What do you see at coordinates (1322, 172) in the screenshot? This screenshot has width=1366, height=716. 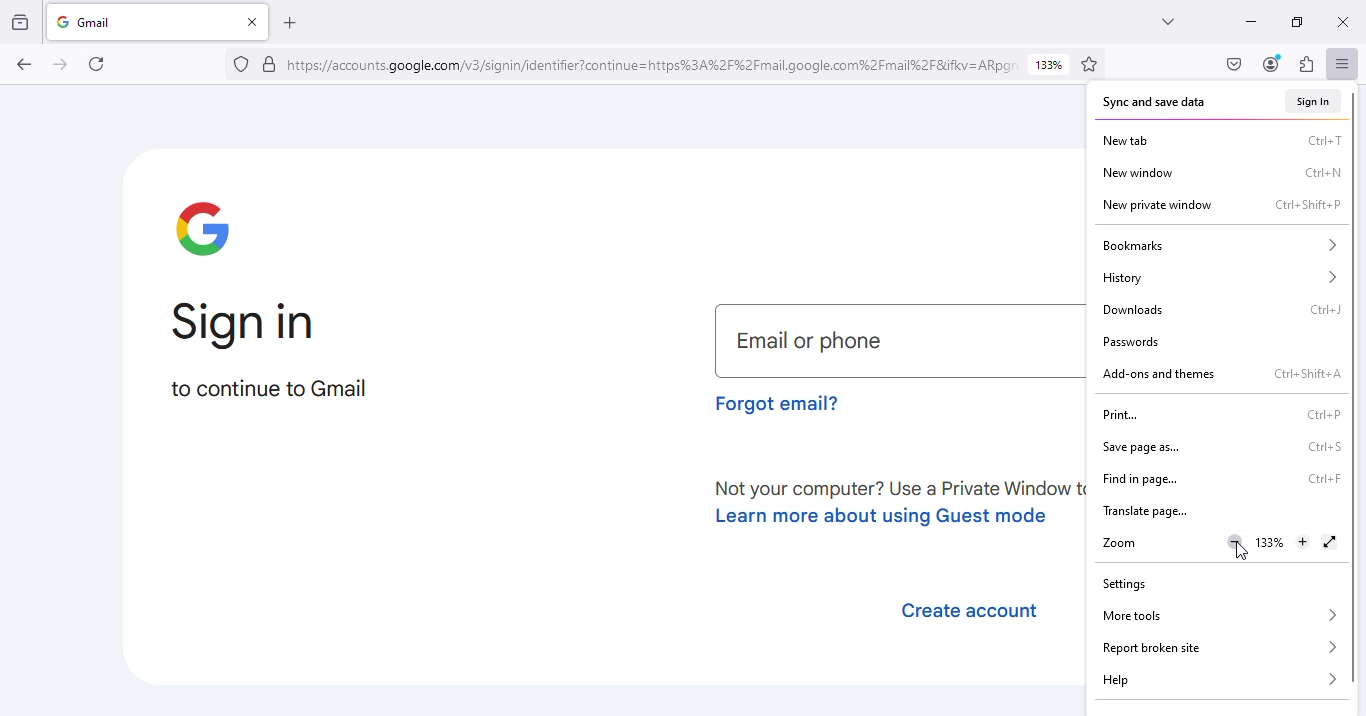 I see `shortcut for new window` at bounding box center [1322, 172].